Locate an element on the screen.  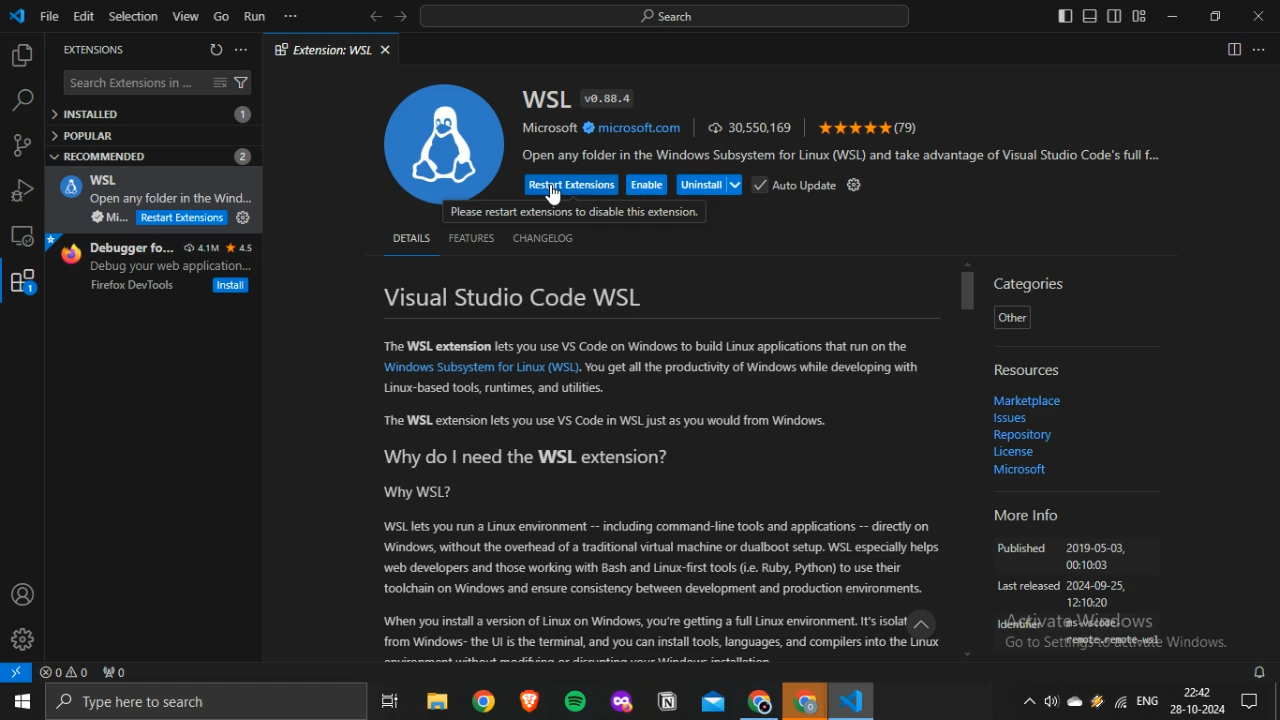
WSL logo is located at coordinates (444, 140).